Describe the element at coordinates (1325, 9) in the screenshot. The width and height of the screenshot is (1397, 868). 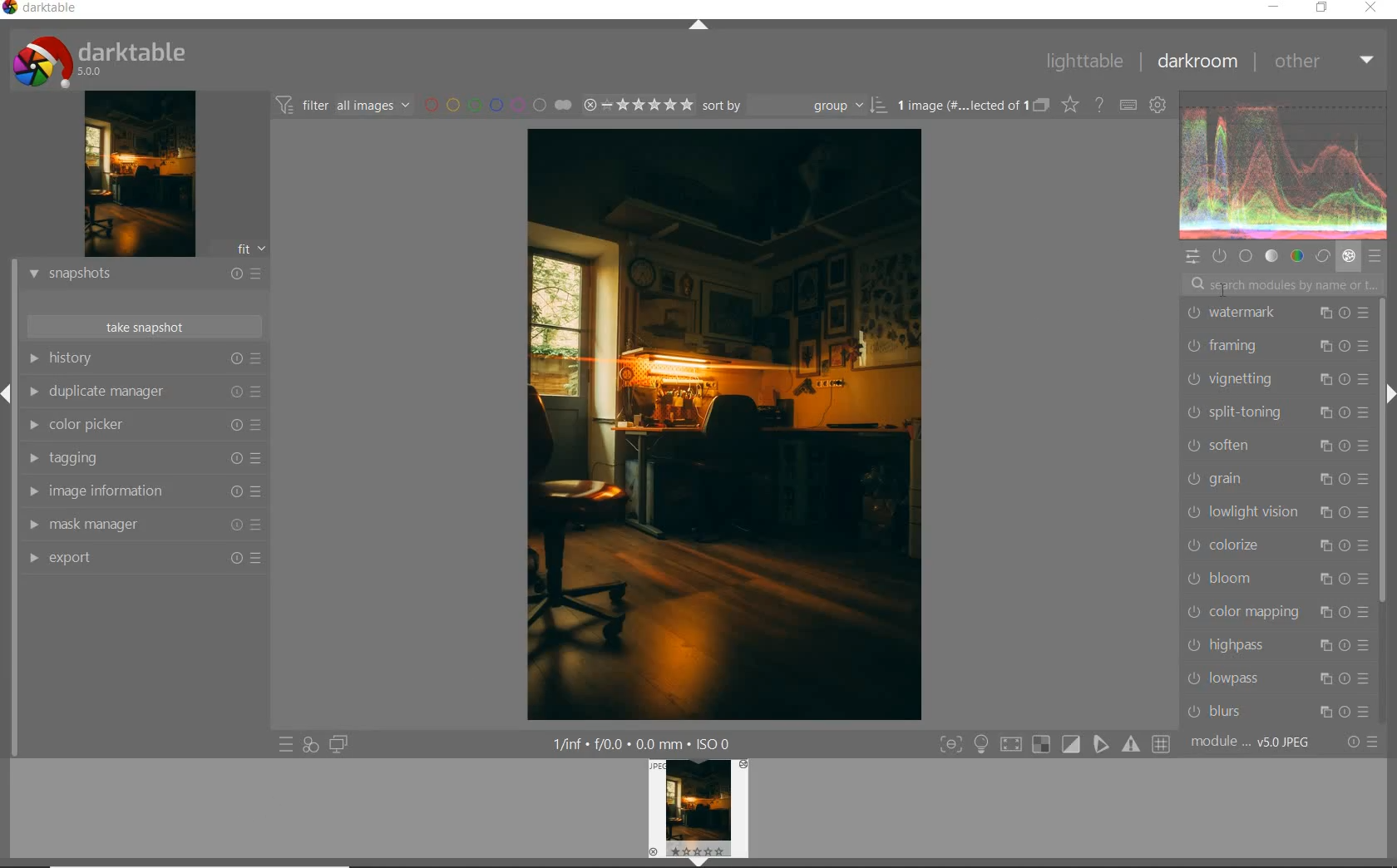
I see `restore` at that location.